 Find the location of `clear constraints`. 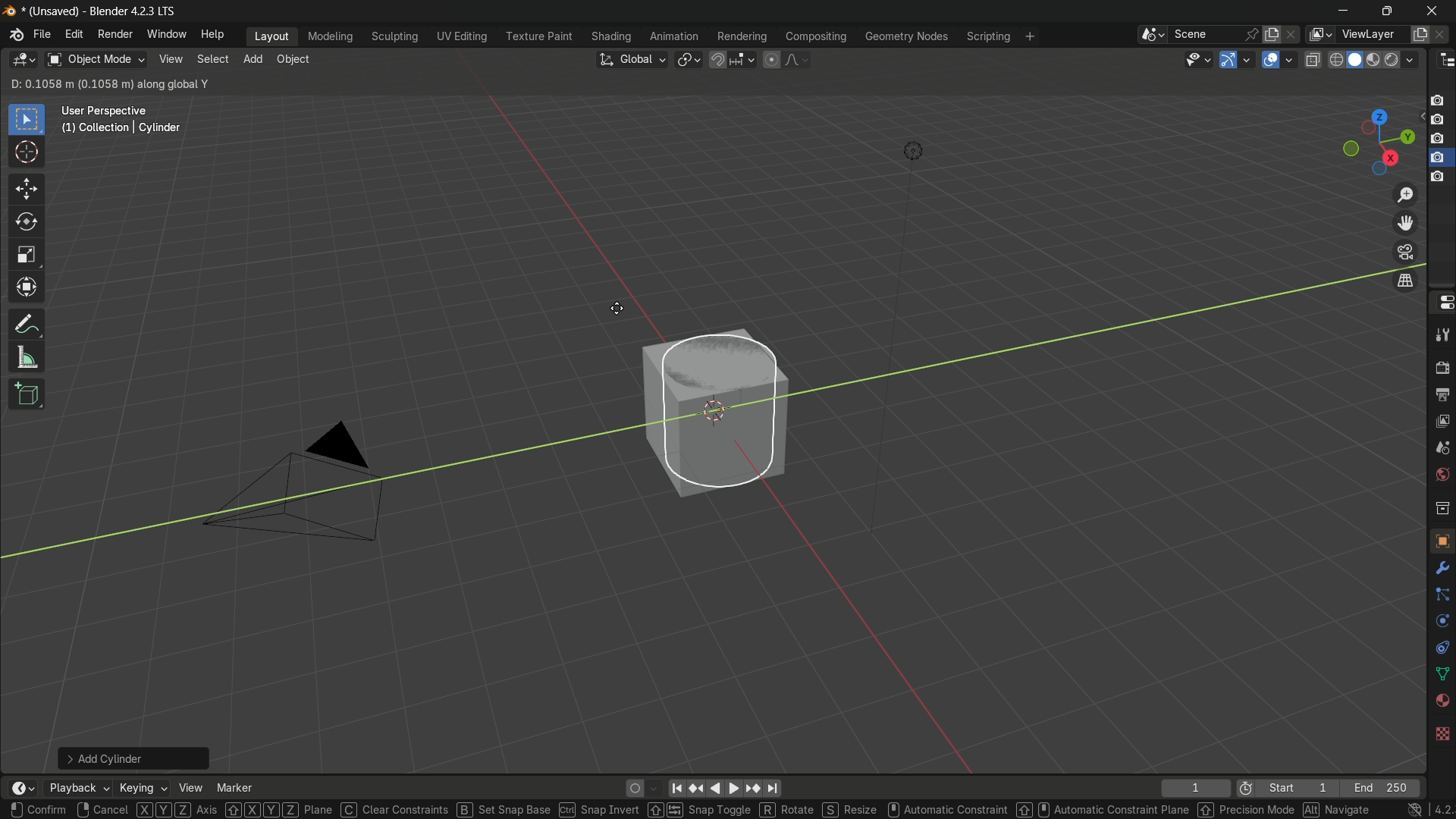

clear constraints is located at coordinates (392, 808).